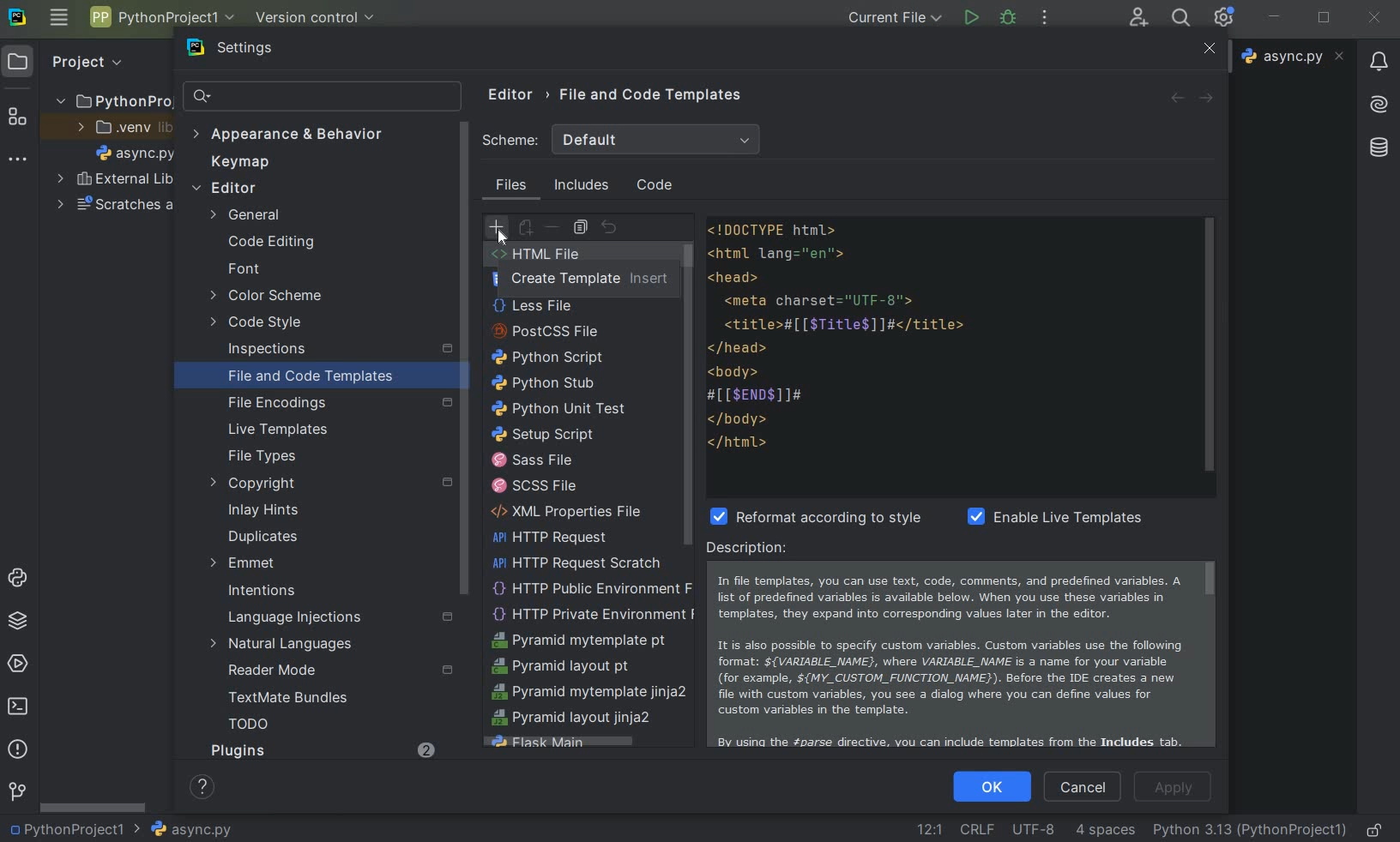 Image resolution: width=1400 pixels, height=842 pixels. What do you see at coordinates (1206, 346) in the screenshot?
I see `scrollbar` at bounding box center [1206, 346].